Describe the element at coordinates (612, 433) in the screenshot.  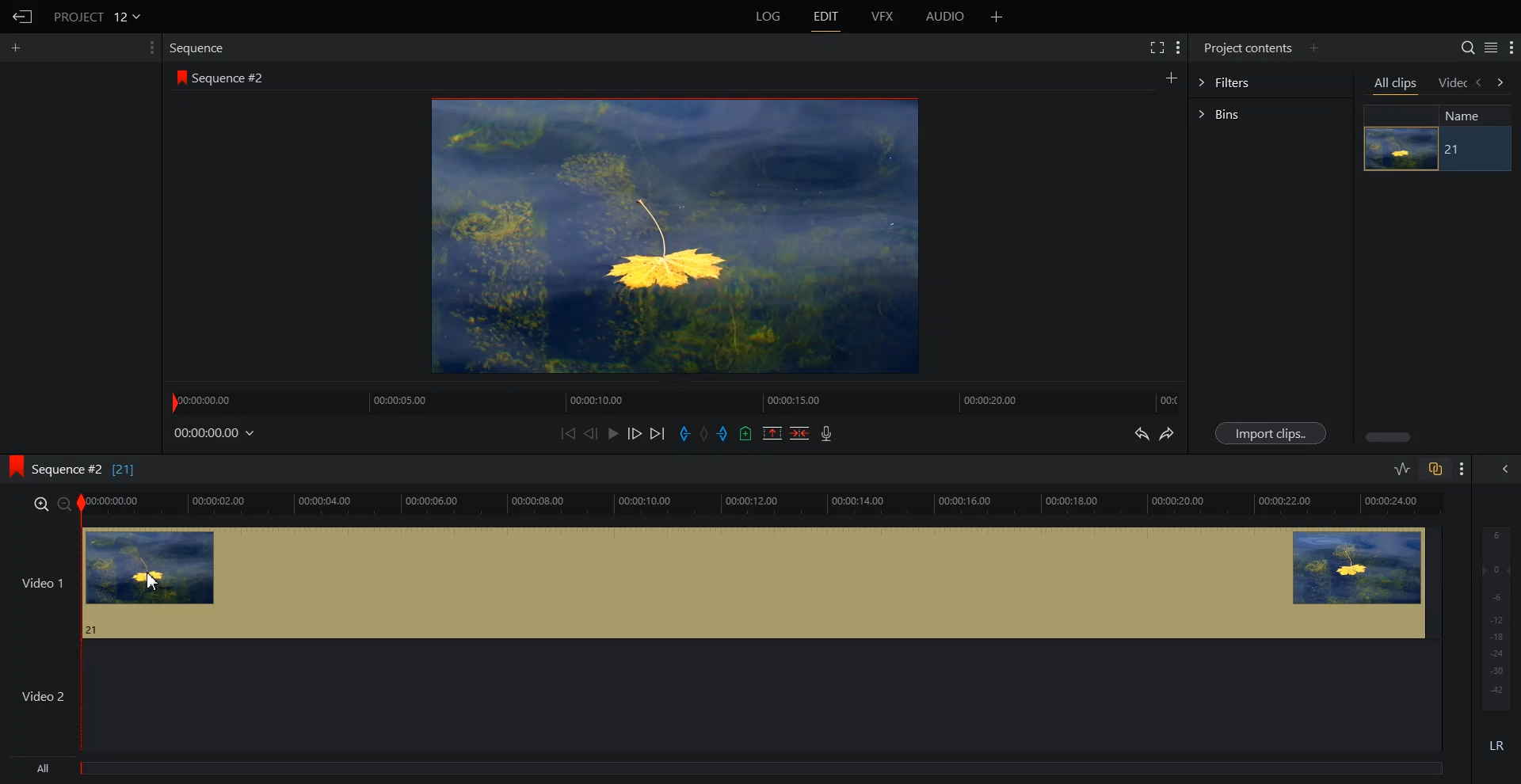
I see `Play` at that location.